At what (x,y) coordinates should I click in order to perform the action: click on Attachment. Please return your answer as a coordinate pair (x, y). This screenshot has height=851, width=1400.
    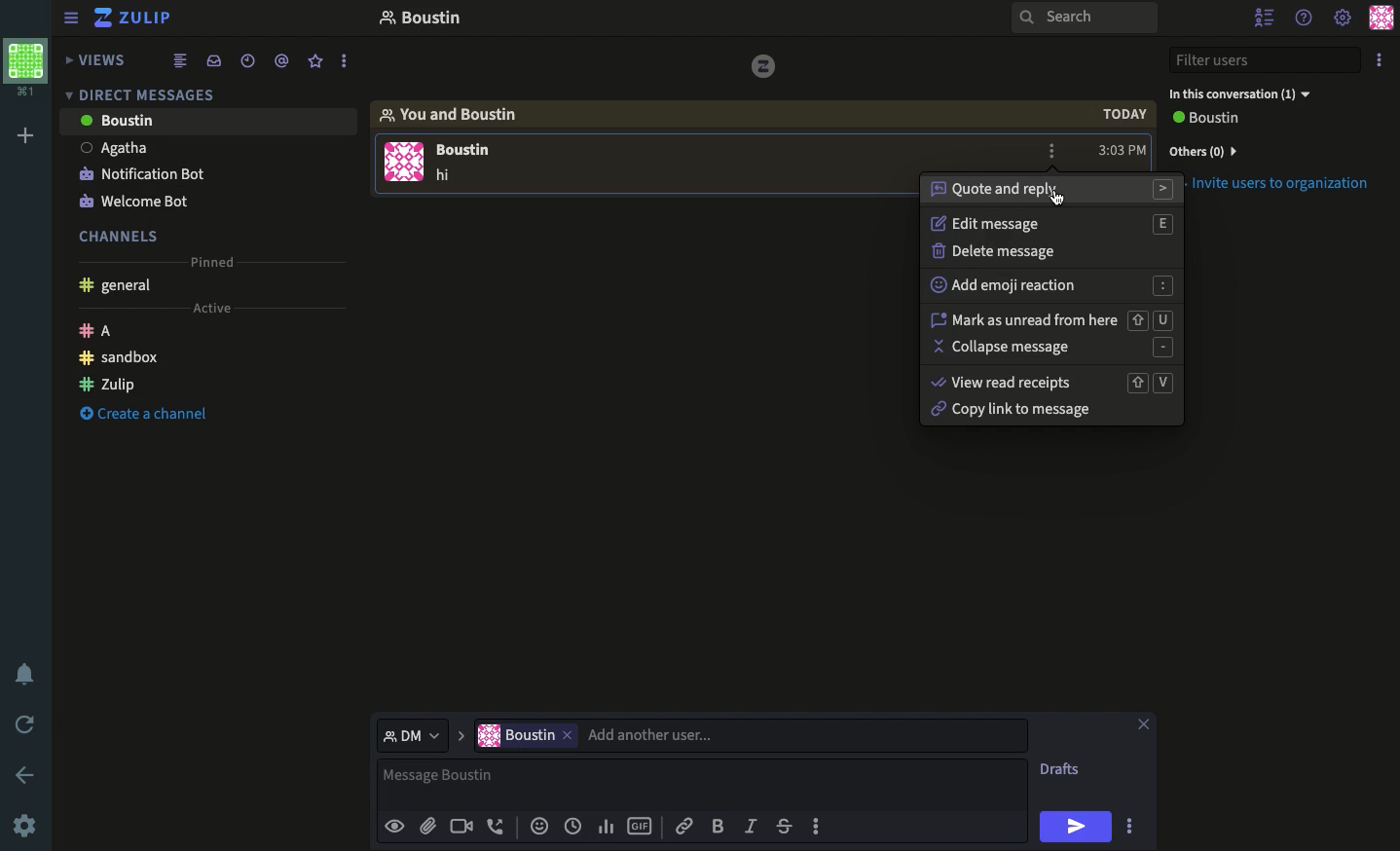
    Looking at the image, I should click on (427, 827).